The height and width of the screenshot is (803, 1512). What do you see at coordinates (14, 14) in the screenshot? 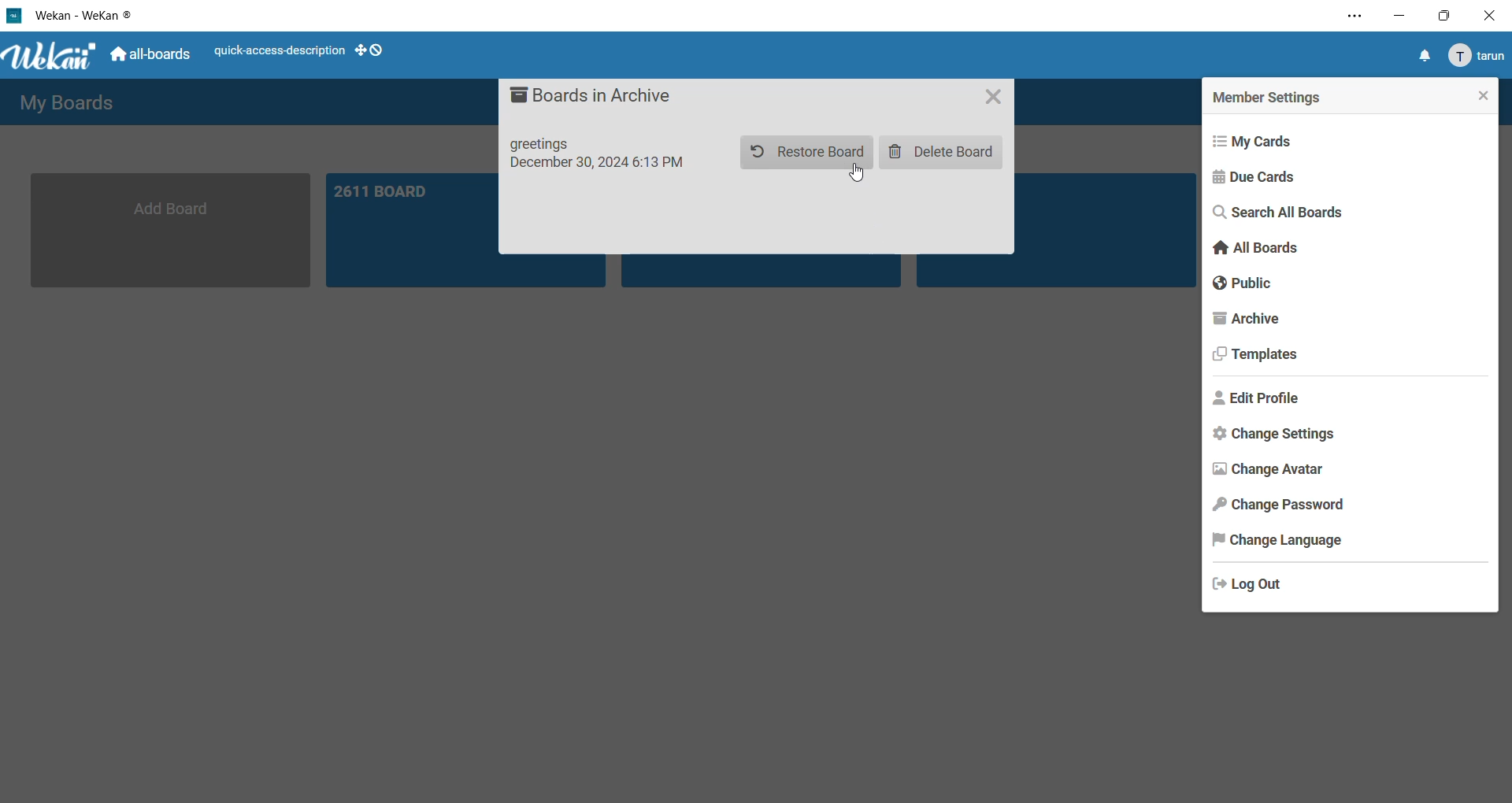
I see `wekan logo` at bounding box center [14, 14].